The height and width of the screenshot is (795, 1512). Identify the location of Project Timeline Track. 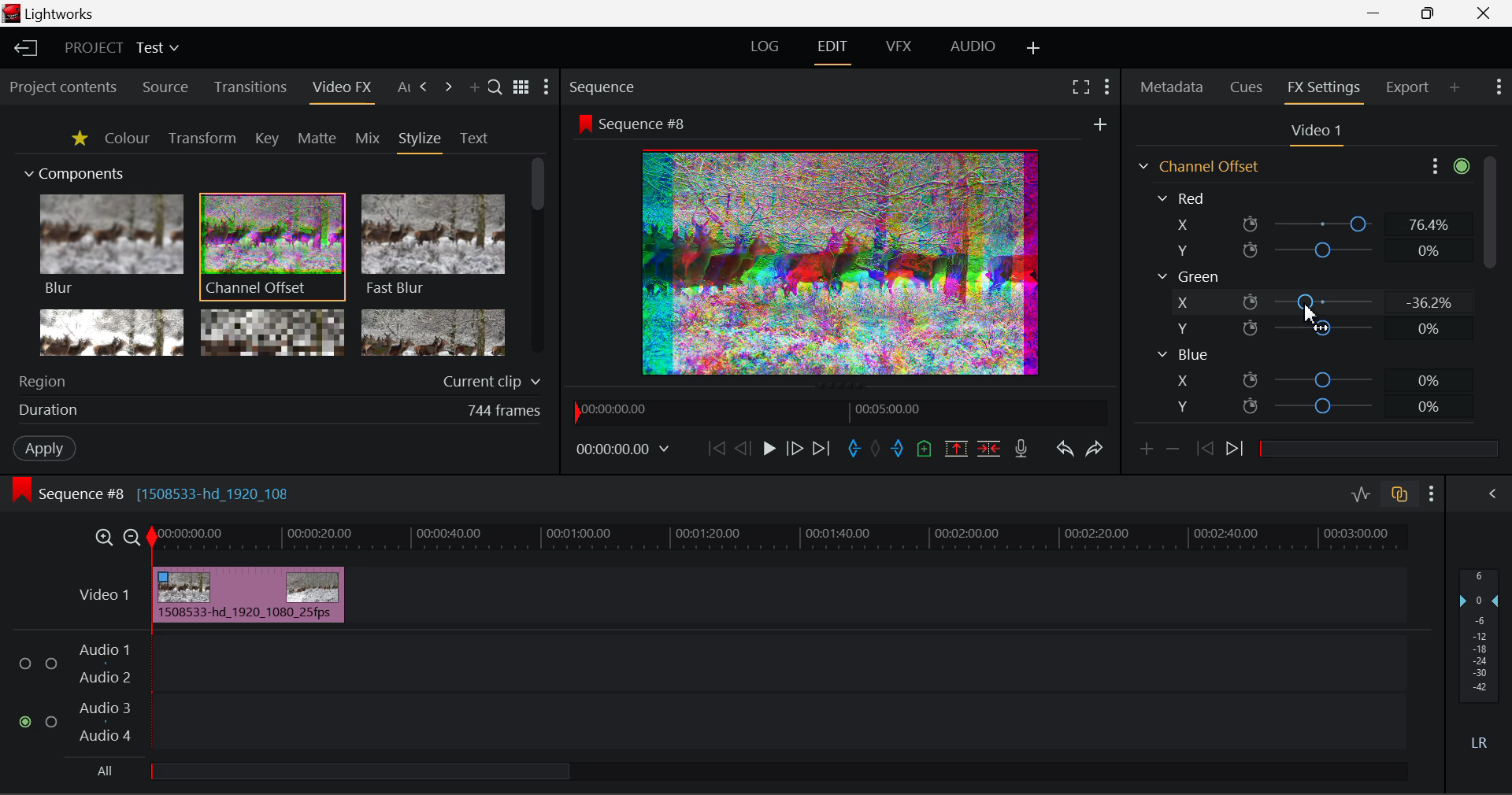
(780, 540).